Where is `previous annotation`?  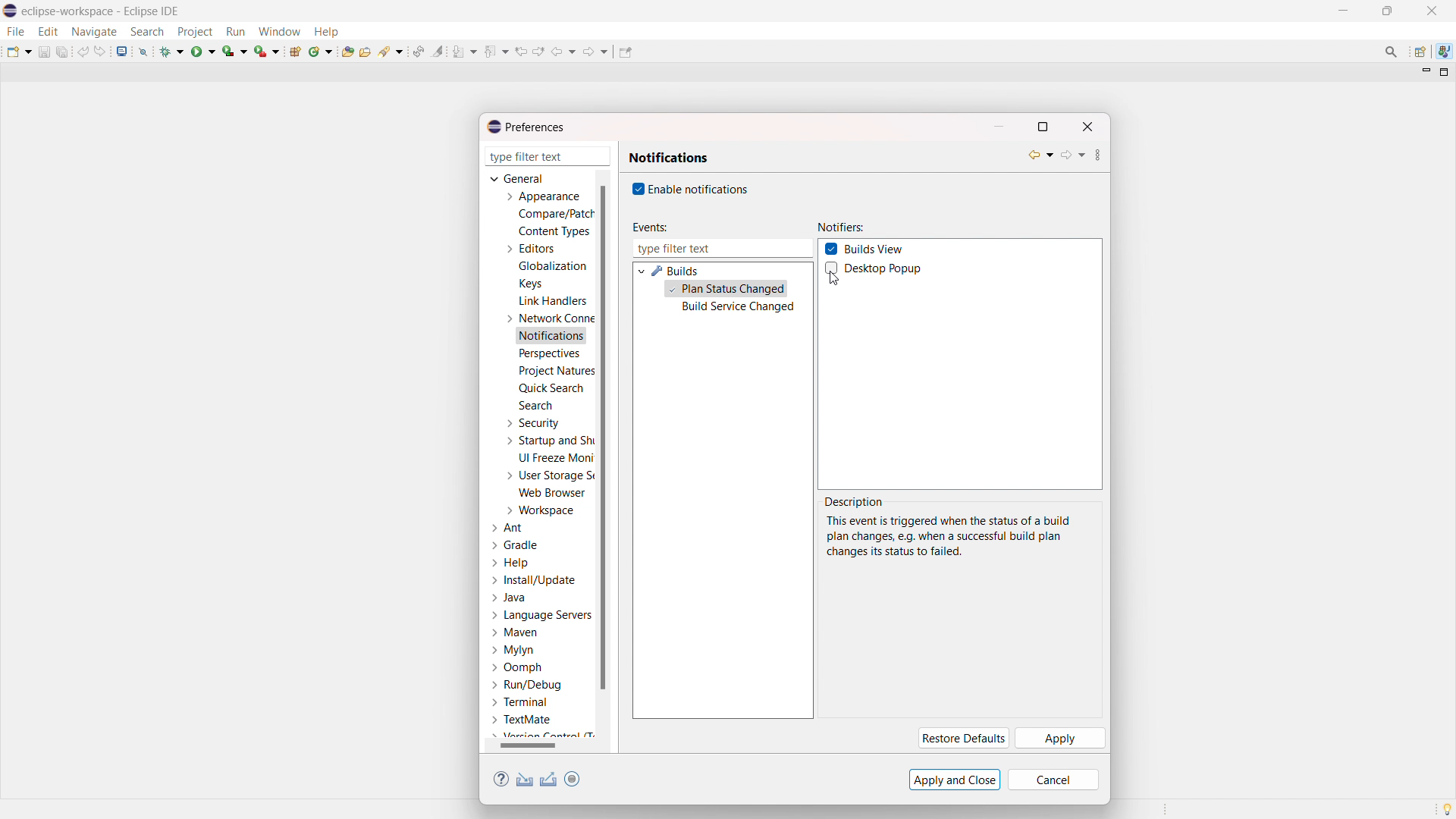 previous annotation is located at coordinates (496, 51).